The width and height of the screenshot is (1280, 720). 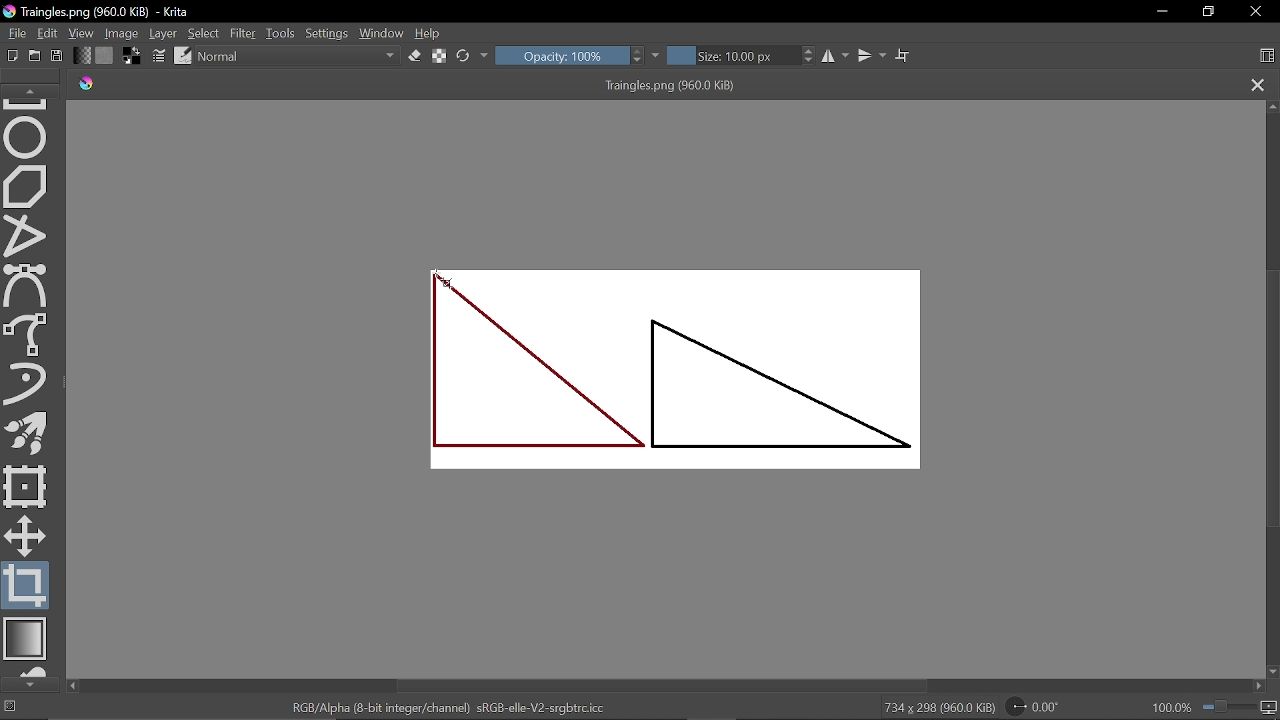 I want to click on Vertical scrollbar, so click(x=665, y=686).